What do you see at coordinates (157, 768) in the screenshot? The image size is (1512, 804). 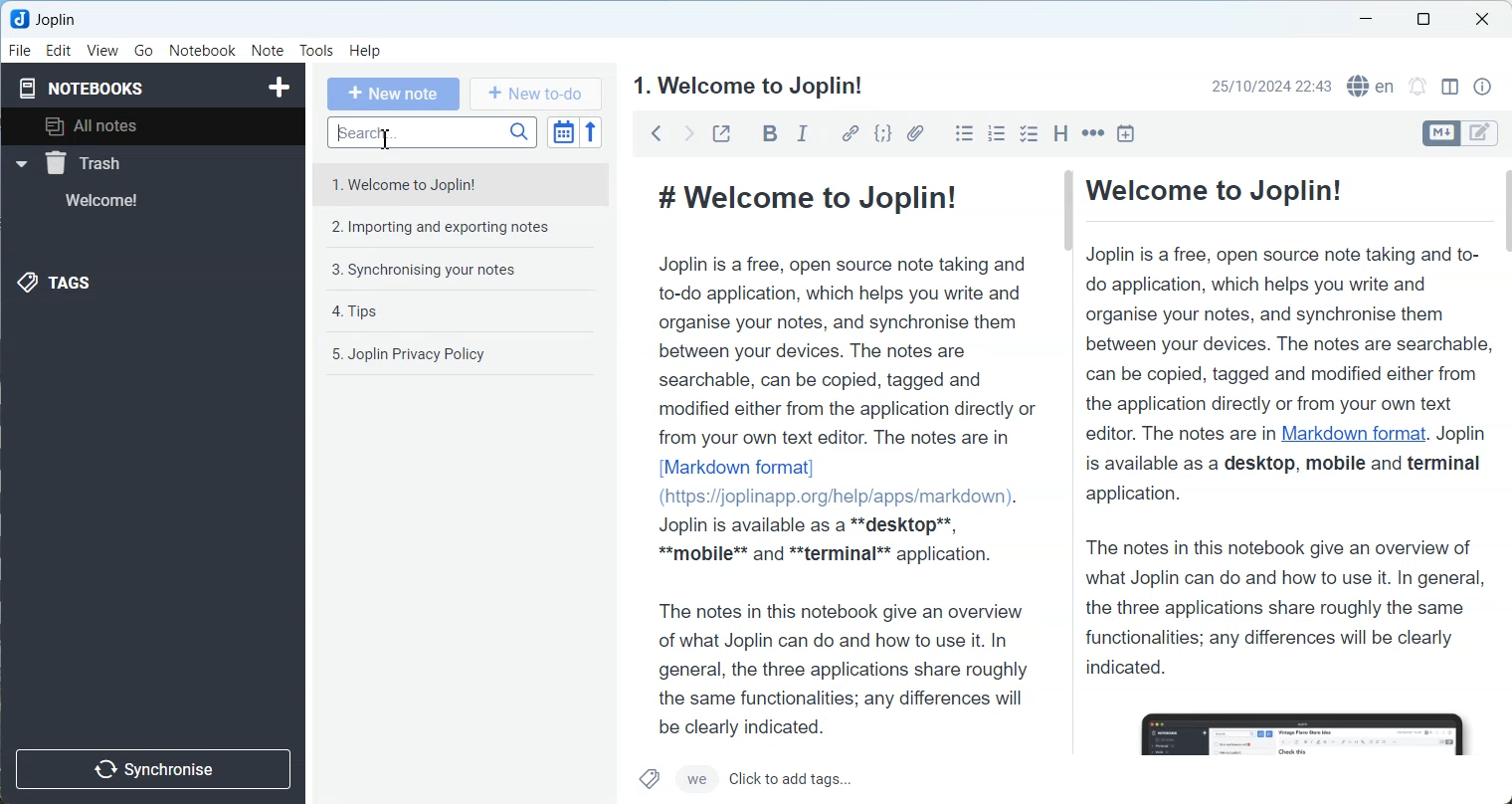 I see `Synchronise` at bounding box center [157, 768].